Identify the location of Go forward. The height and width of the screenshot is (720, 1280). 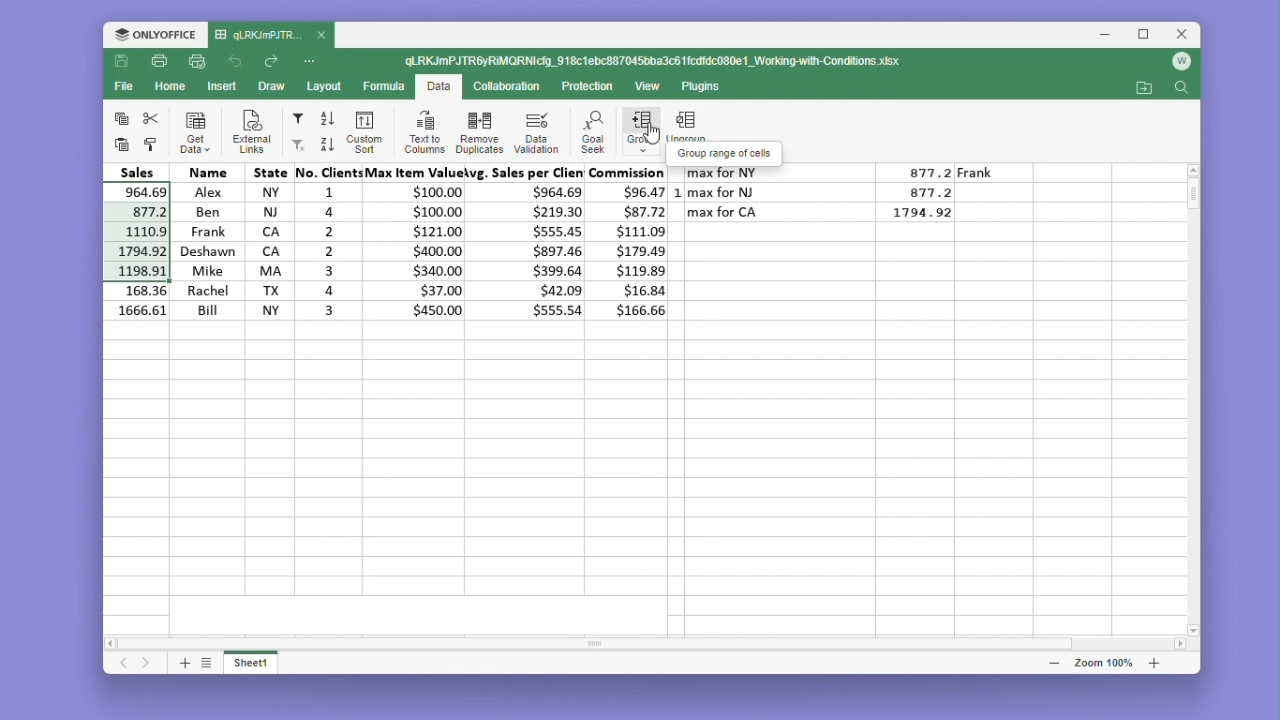
(271, 62).